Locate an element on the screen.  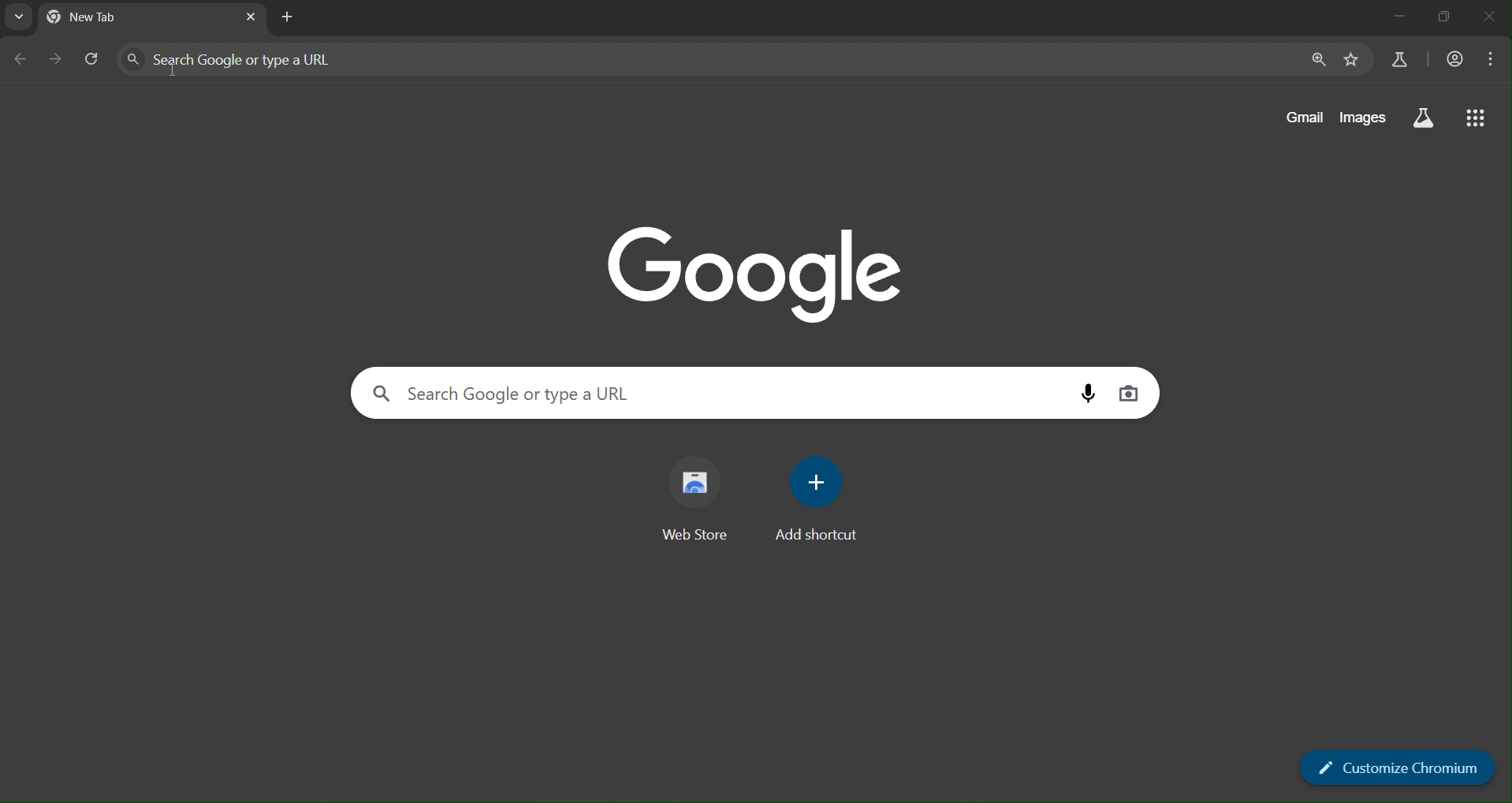
current tab is located at coordinates (110, 18).